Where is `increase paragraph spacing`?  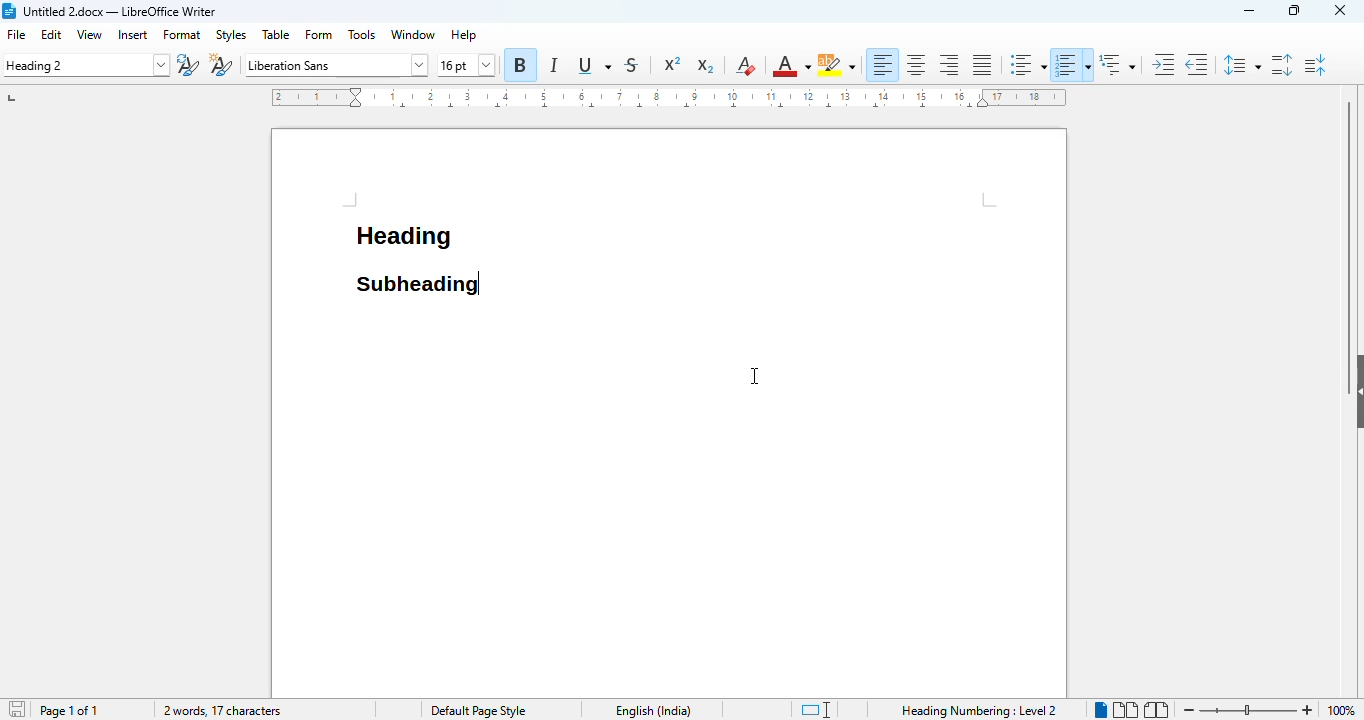 increase paragraph spacing is located at coordinates (1281, 65).